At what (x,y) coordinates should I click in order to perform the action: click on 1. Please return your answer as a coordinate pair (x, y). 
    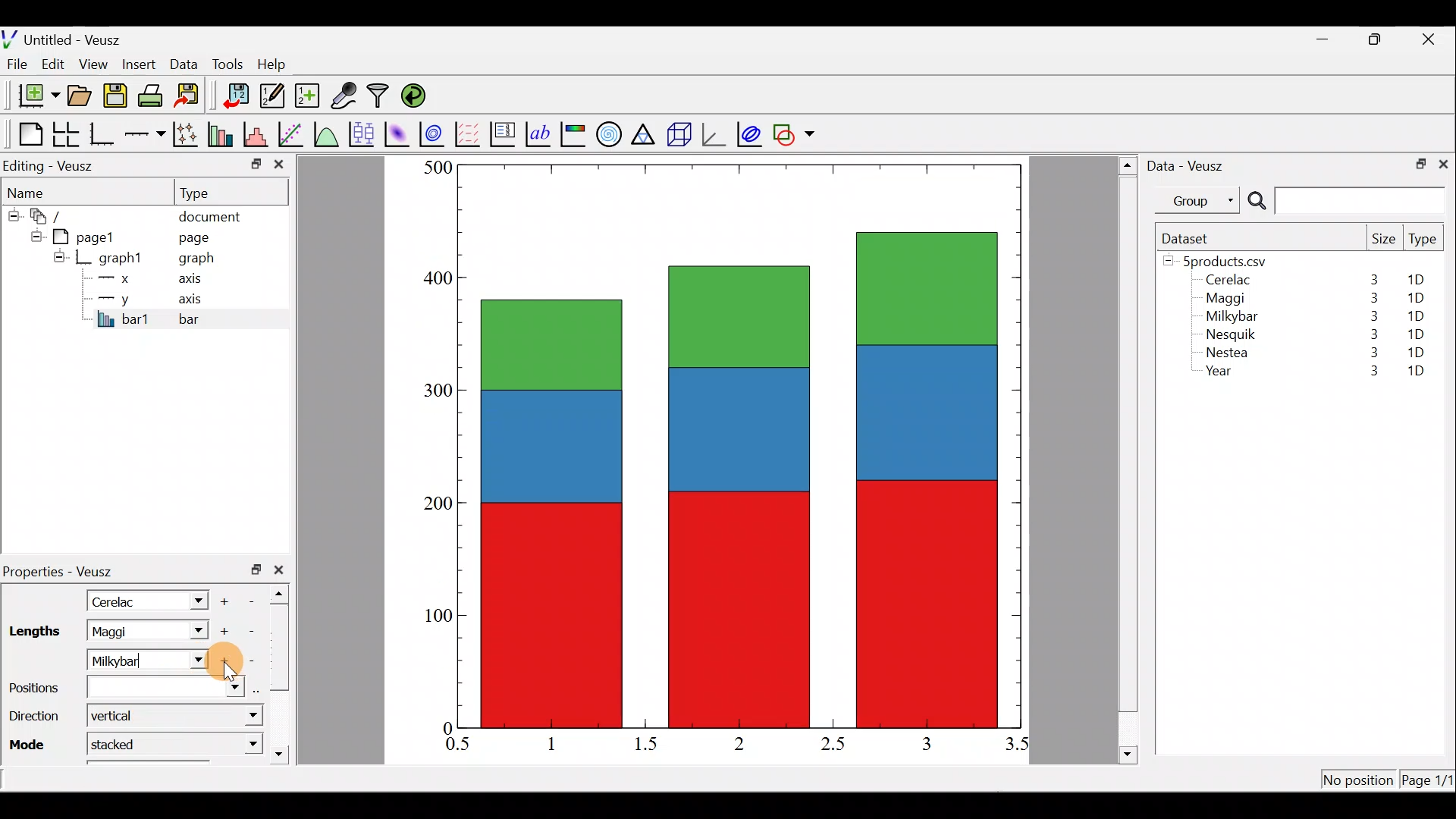
    Looking at the image, I should click on (563, 743).